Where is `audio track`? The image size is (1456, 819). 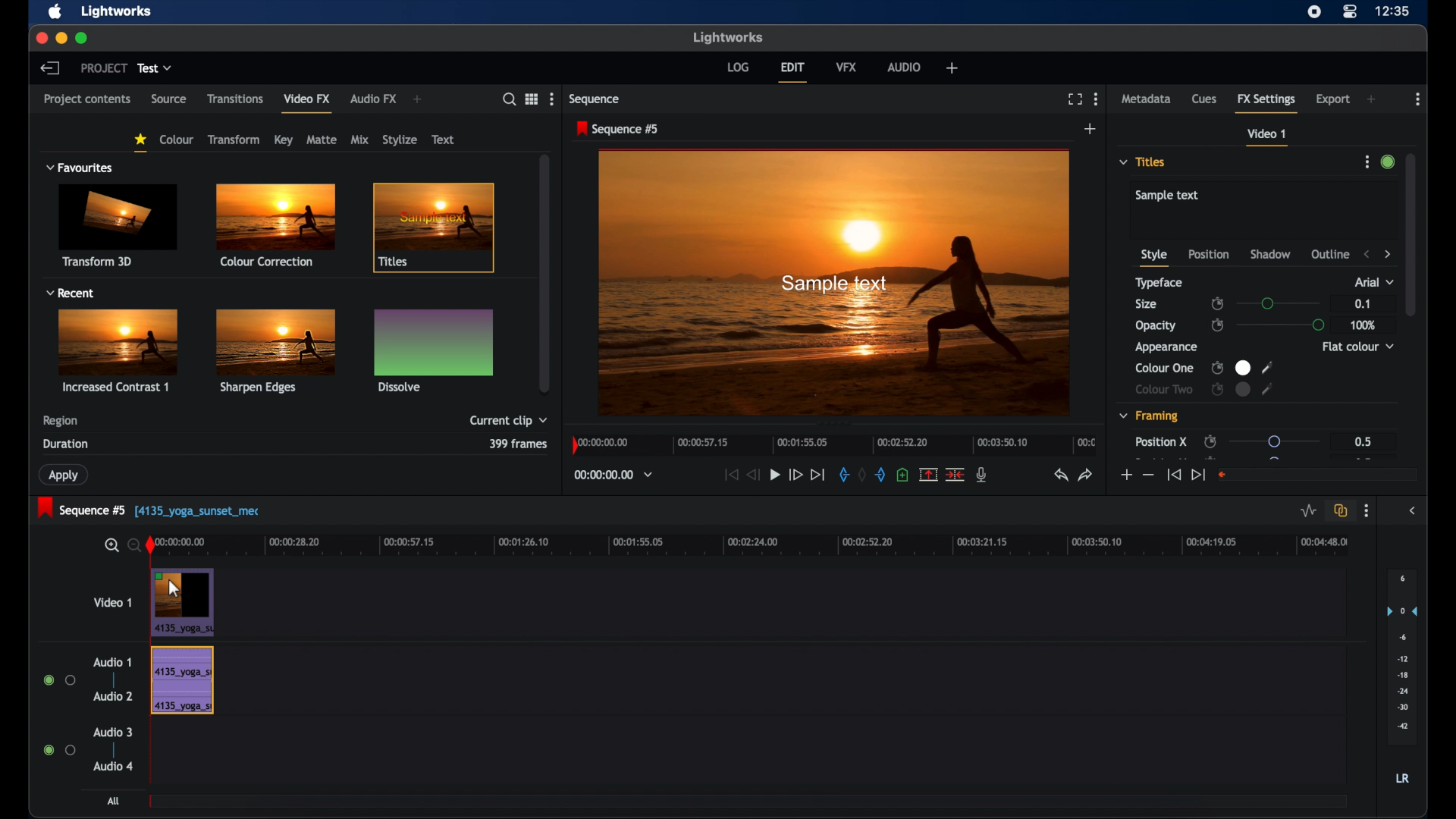 audio track is located at coordinates (182, 680).